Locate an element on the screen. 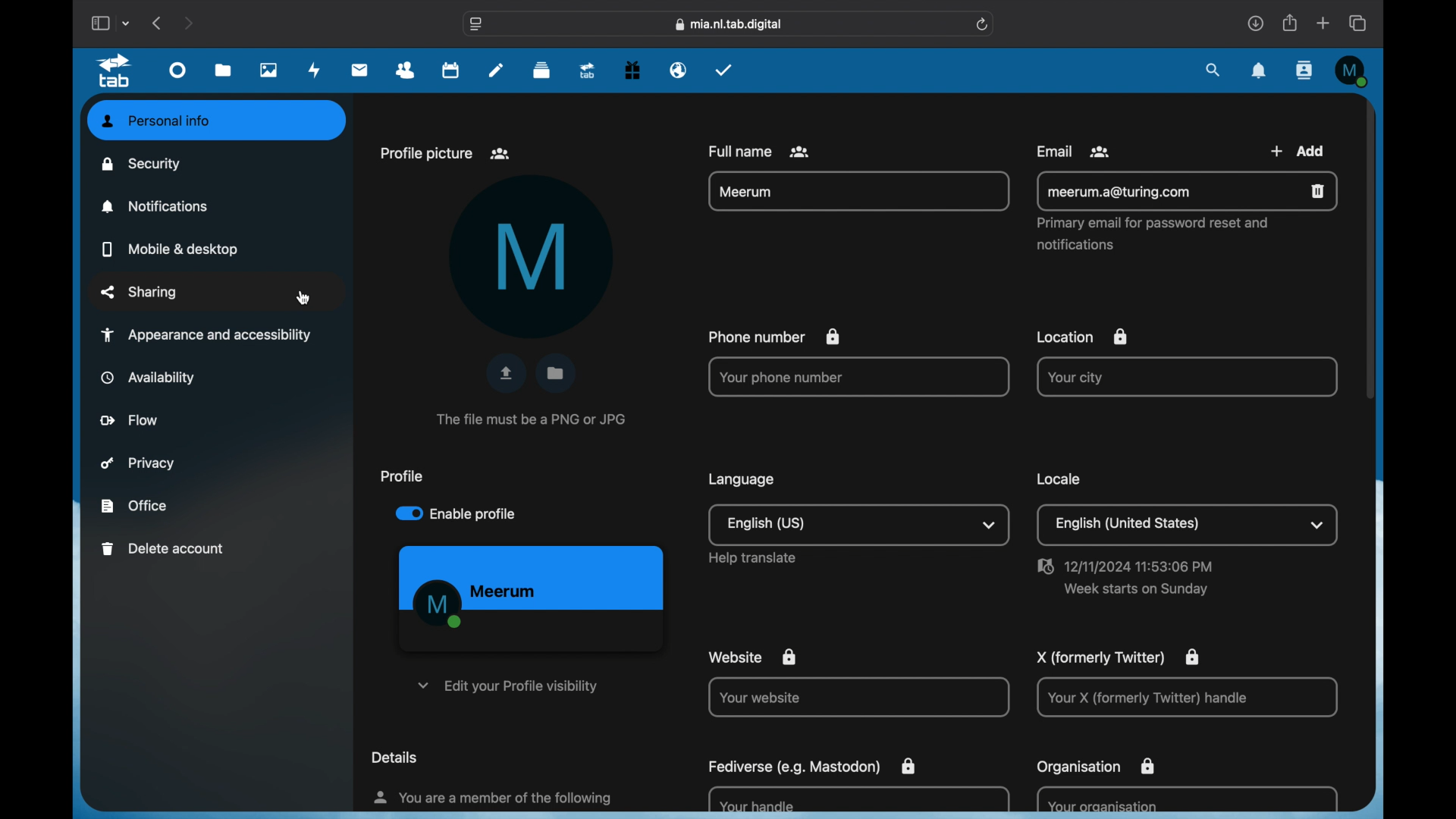 The image size is (1456, 819). Your city is located at coordinates (1188, 378).